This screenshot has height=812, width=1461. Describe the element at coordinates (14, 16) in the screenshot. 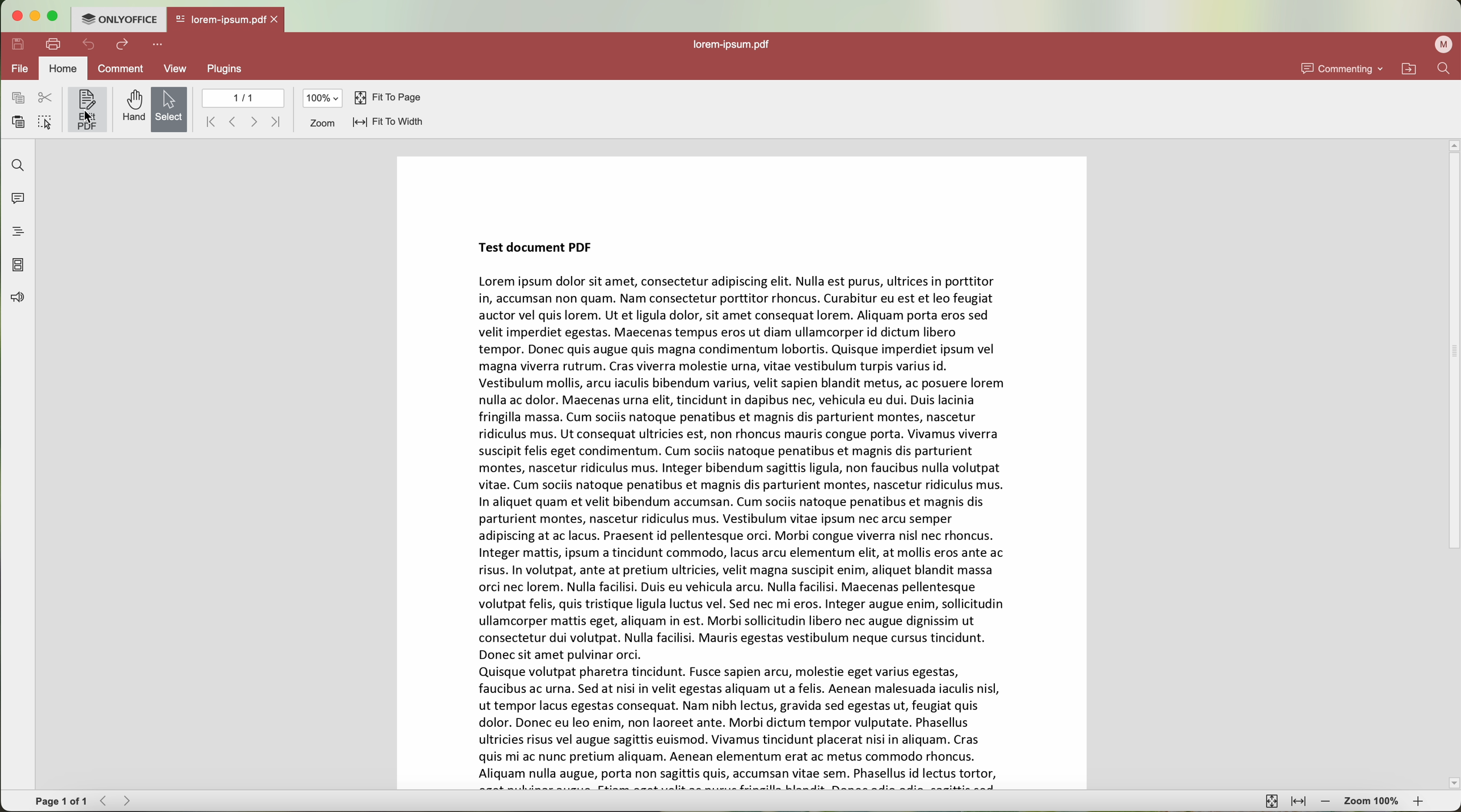

I see `close program` at that location.